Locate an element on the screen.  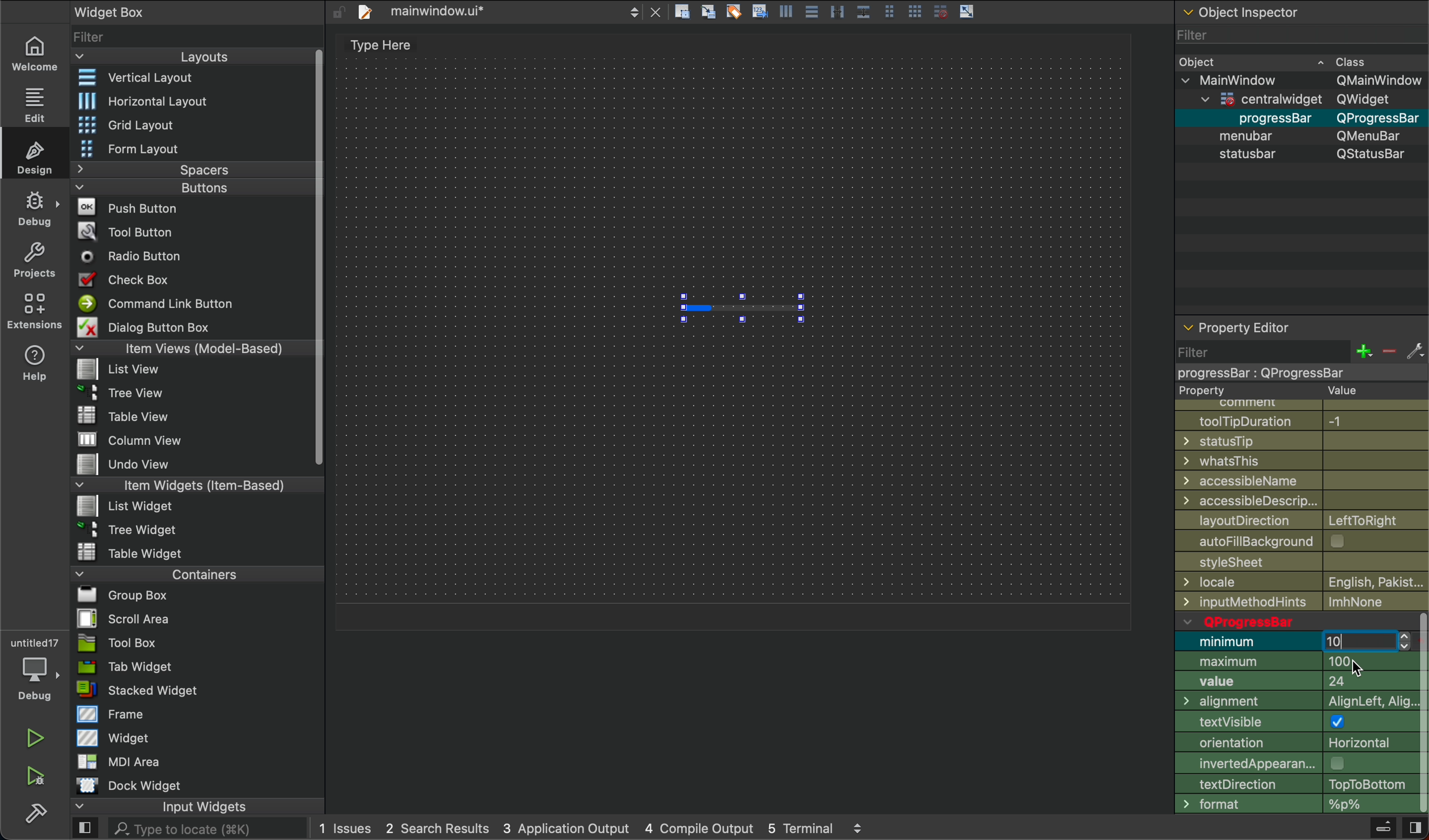
locale is located at coordinates (1302, 582).